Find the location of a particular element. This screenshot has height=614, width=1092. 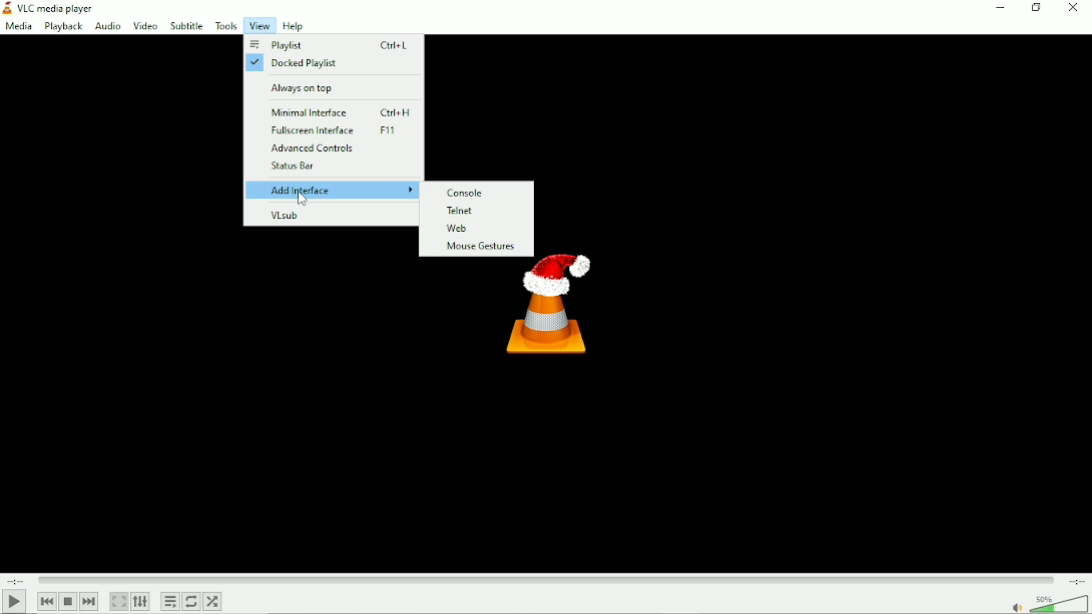

Random is located at coordinates (213, 601).